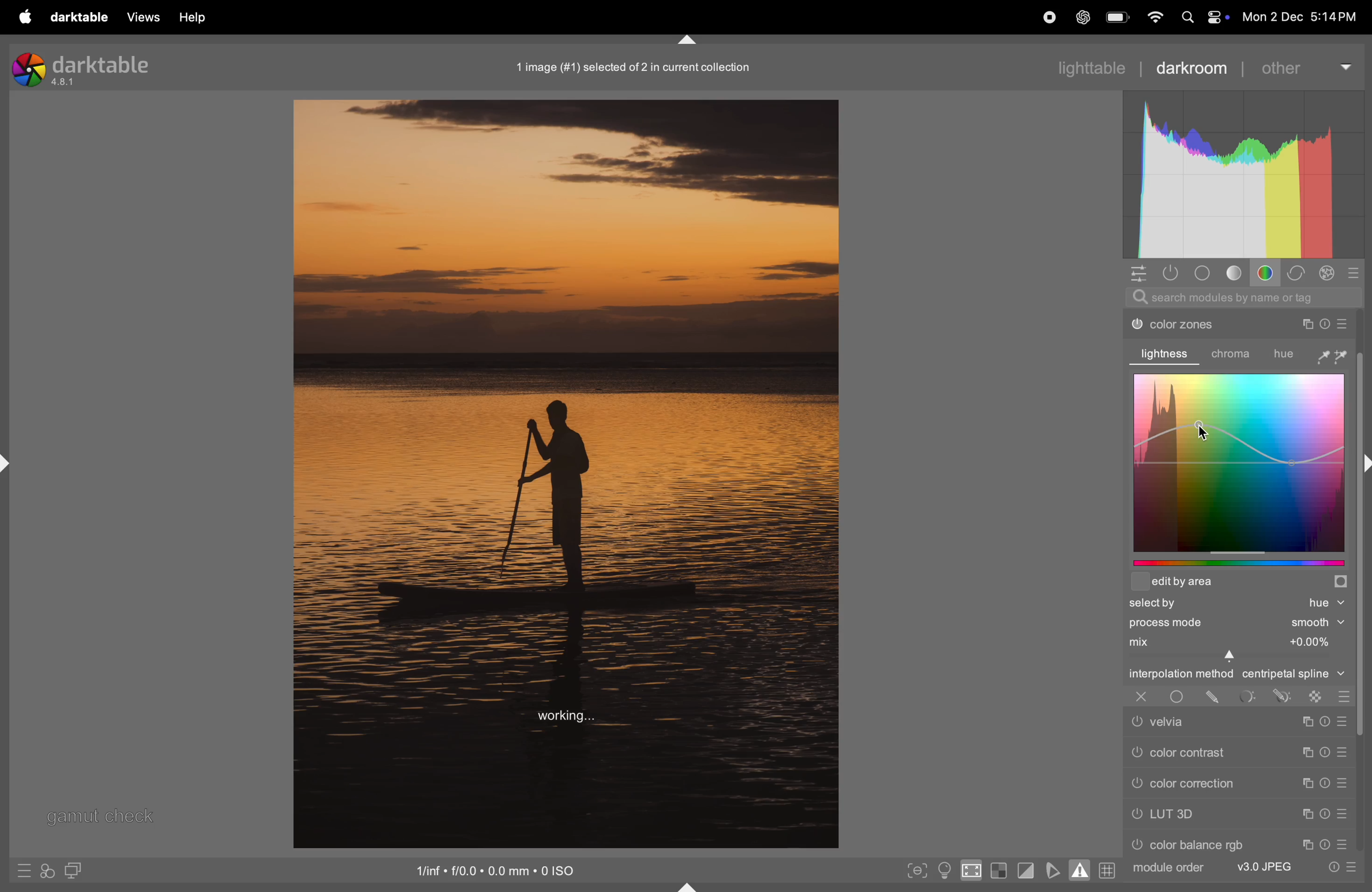 The image size is (1372, 892). I want to click on views, so click(145, 18).